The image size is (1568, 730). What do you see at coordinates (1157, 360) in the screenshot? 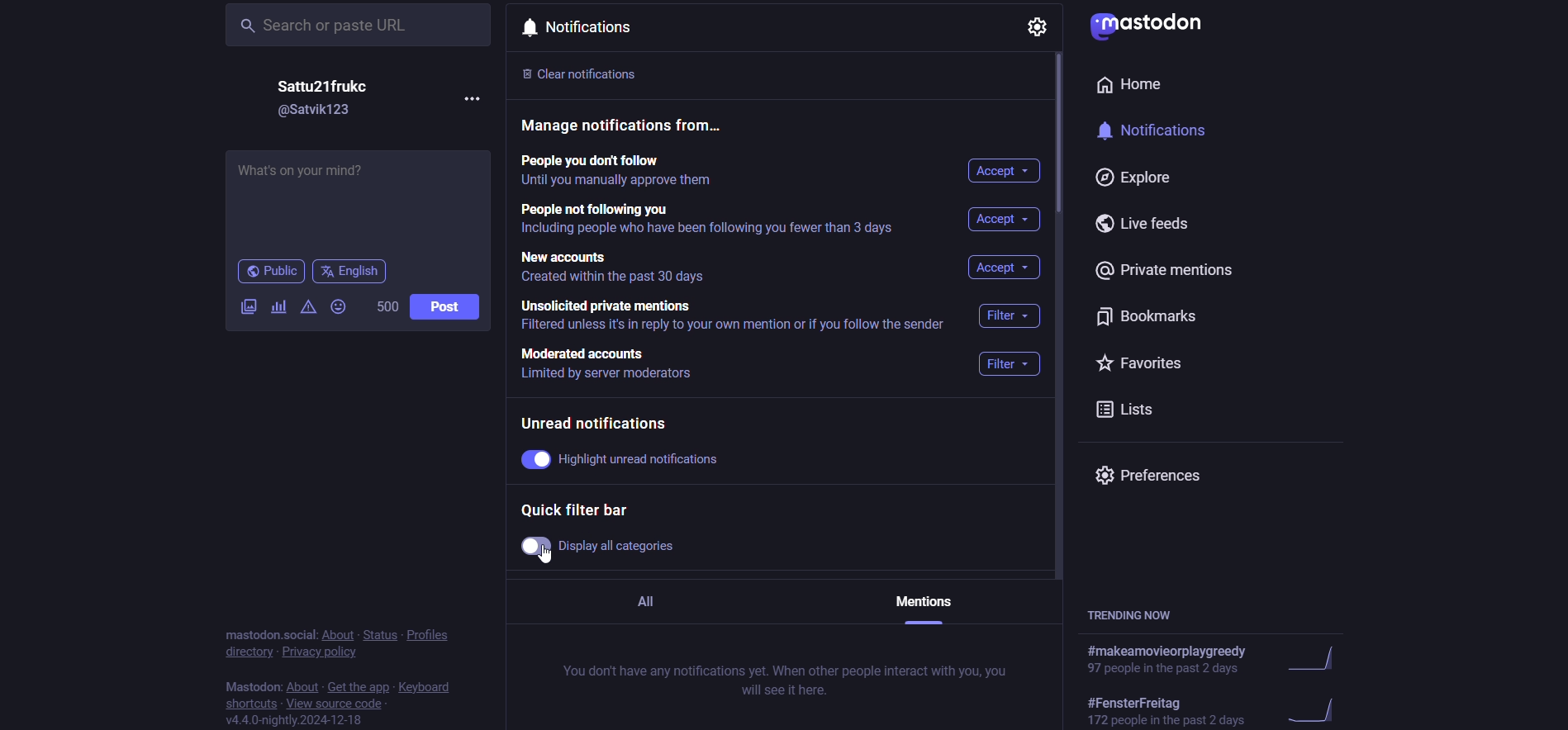
I see `Favorites` at bounding box center [1157, 360].